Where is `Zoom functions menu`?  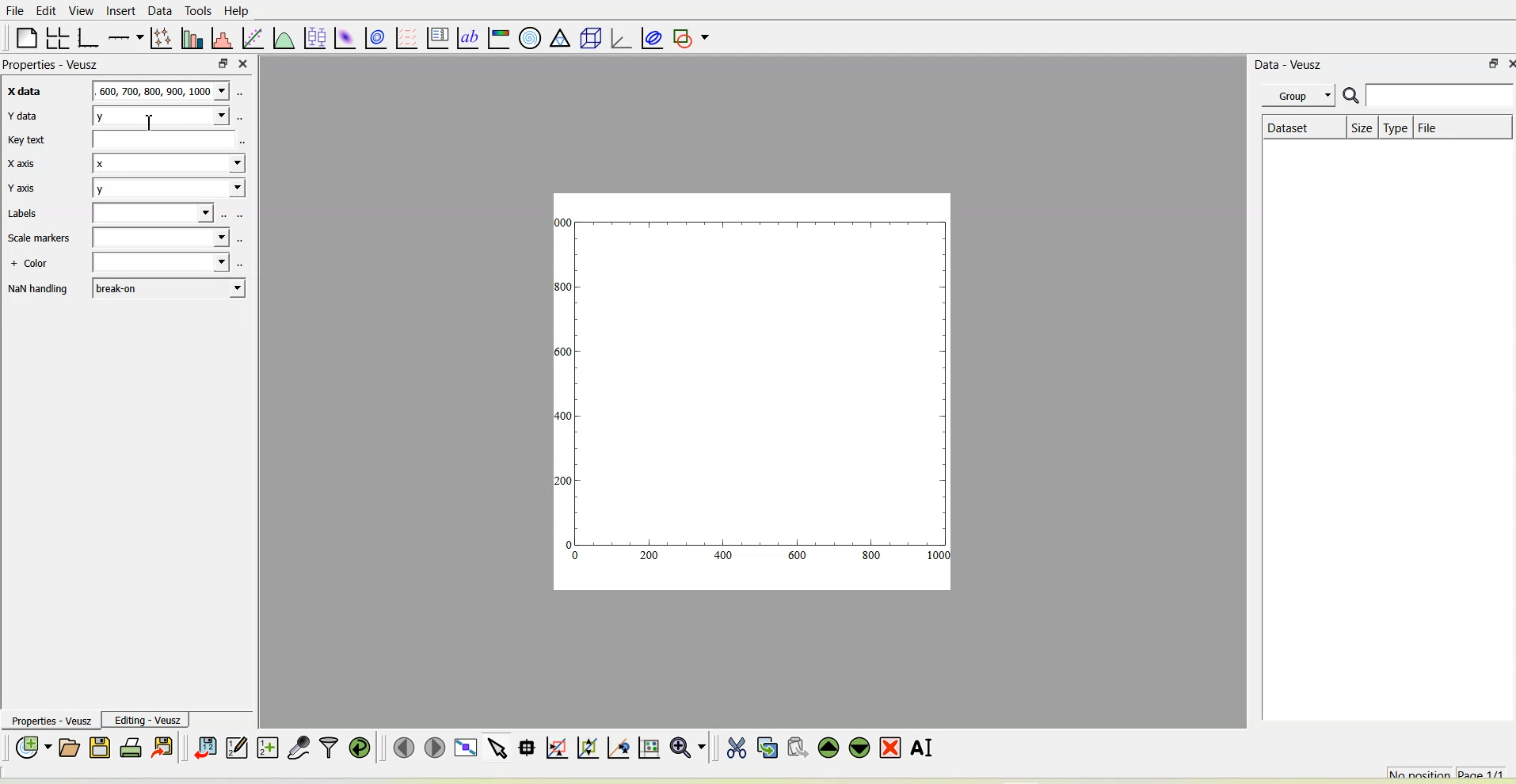 Zoom functions menu is located at coordinates (688, 748).